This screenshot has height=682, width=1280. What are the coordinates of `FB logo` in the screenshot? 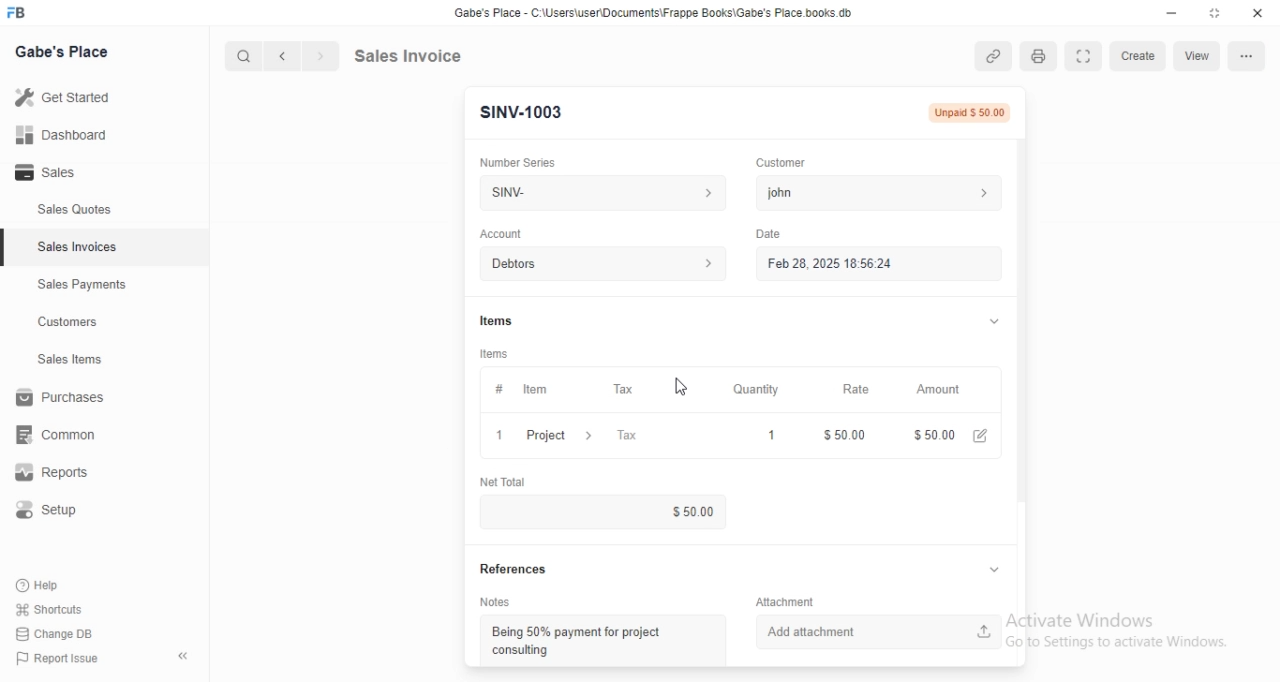 It's located at (20, 13).